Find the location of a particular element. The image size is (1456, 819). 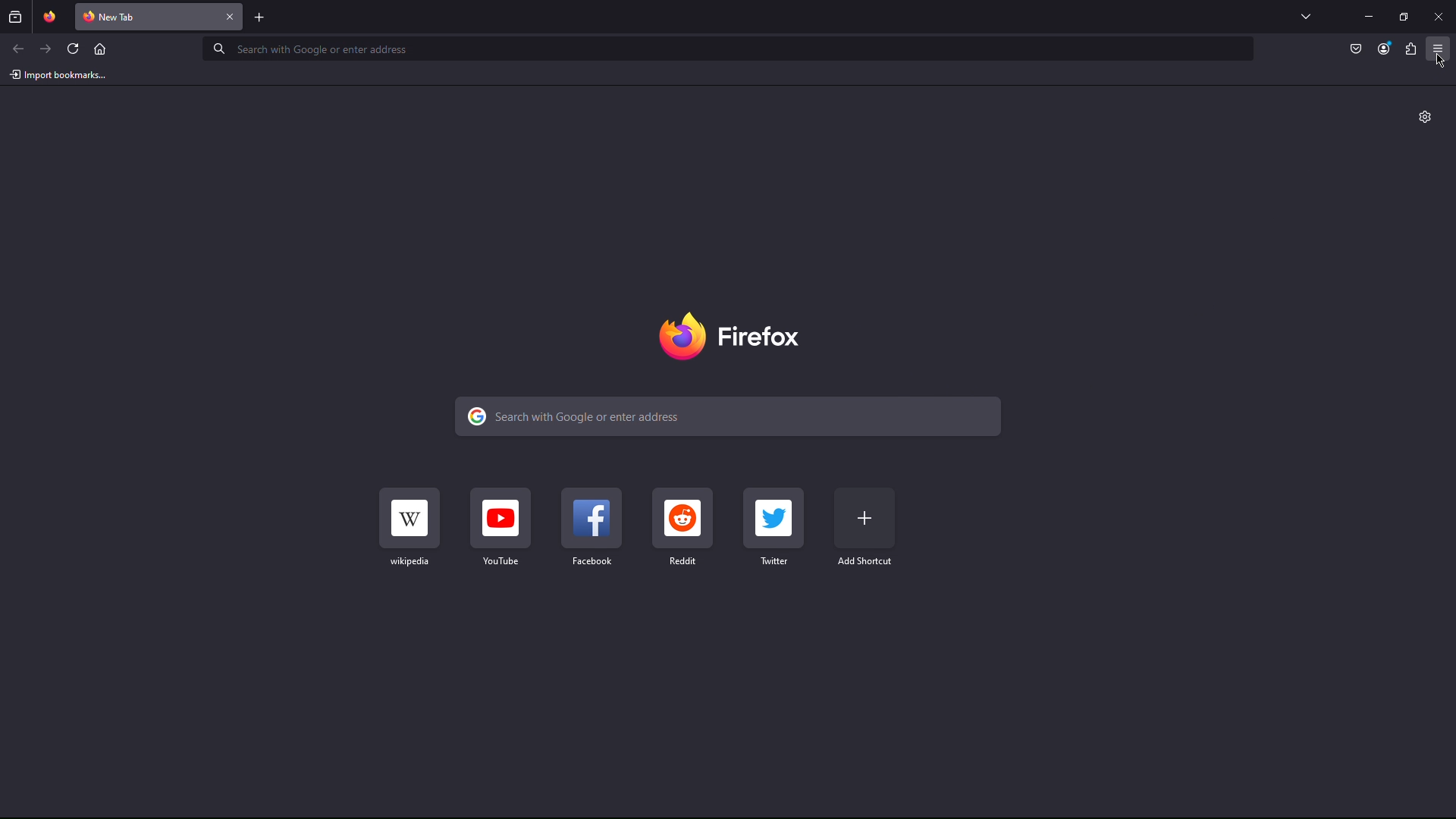

YouTube is located at coordinates (500, 526).